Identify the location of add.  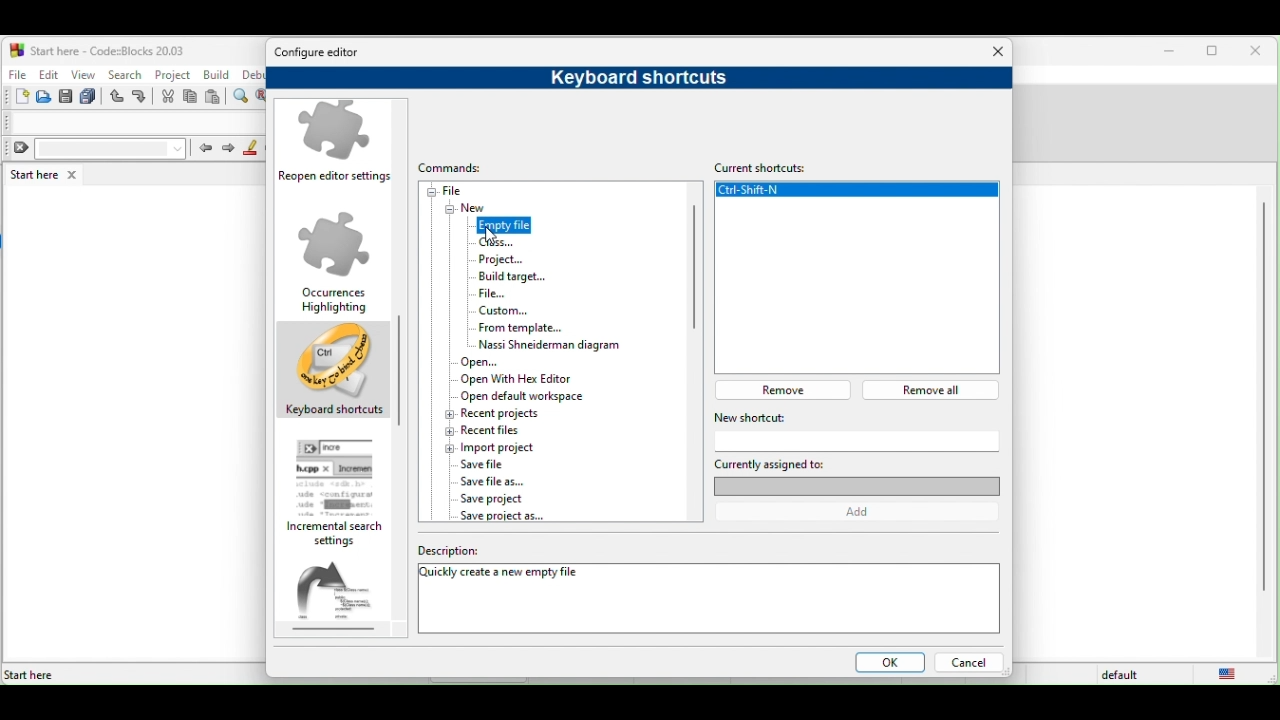
(864, 512).